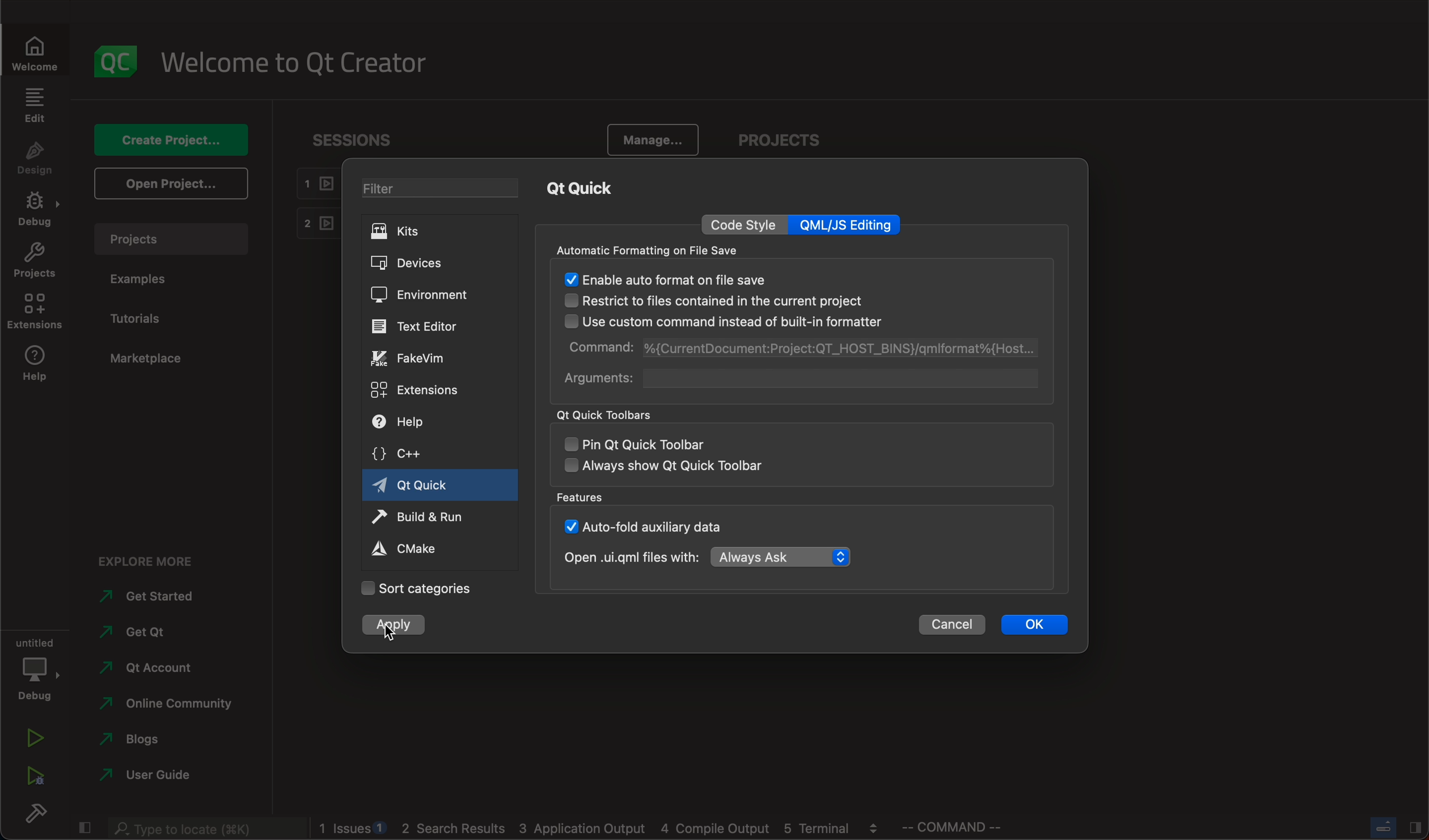 The height and width of the screenshot is (840, 1429). I want to click on help, so click(409, 422).